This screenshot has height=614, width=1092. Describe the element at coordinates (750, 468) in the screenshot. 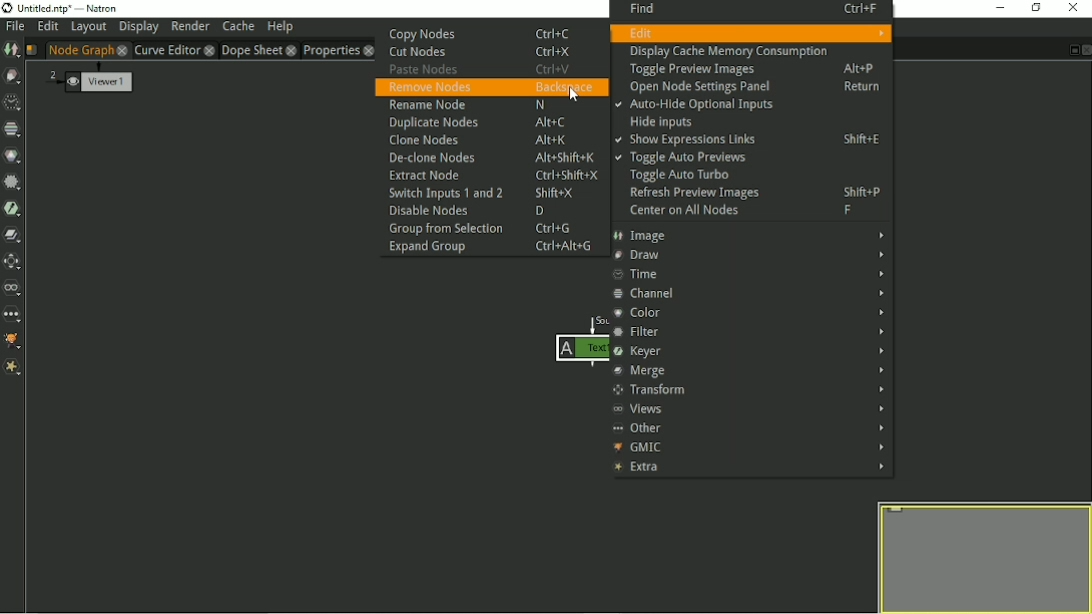

I see `Extra` at that location.